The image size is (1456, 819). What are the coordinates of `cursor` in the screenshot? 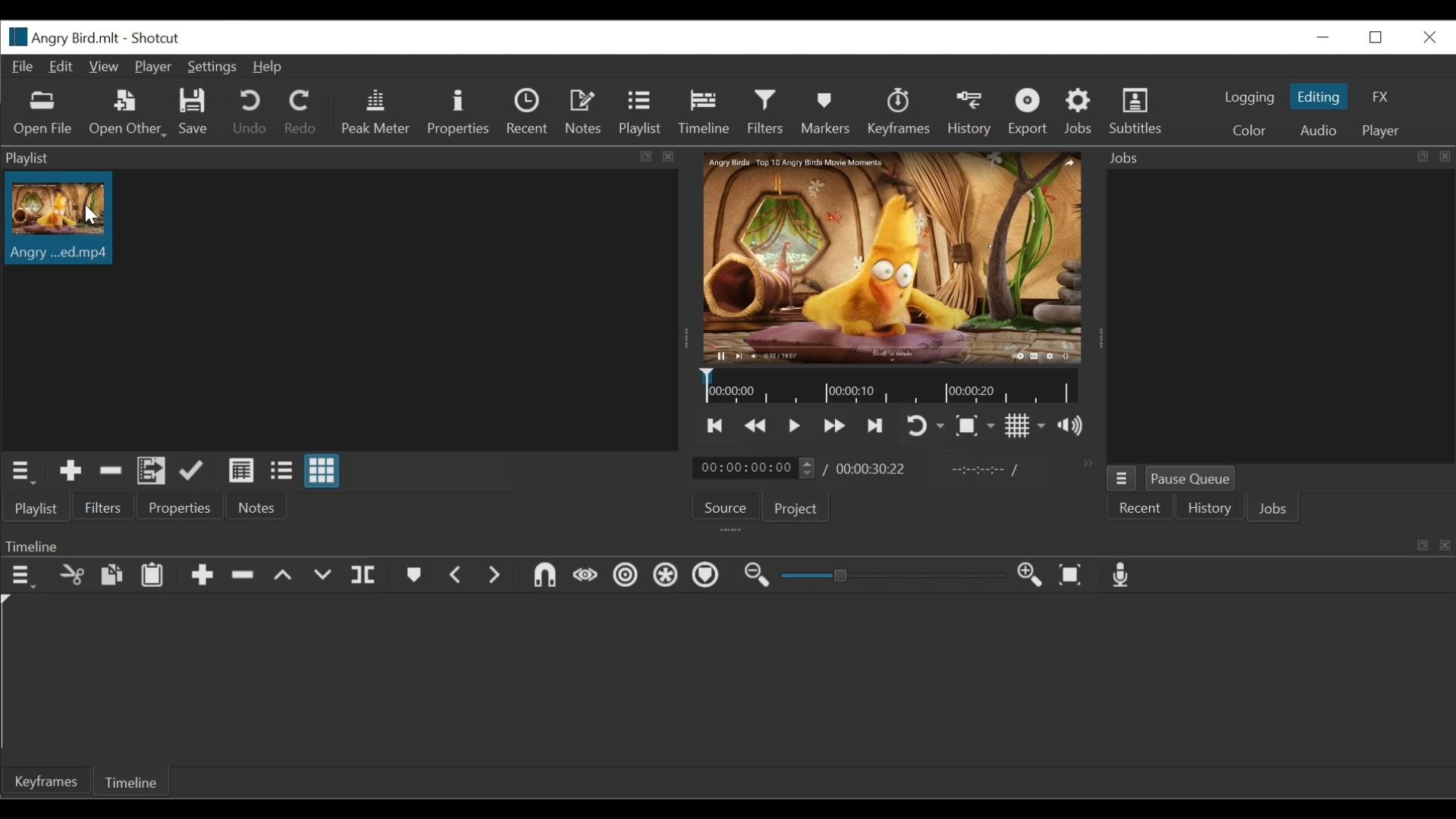 It's located at (107, 221).